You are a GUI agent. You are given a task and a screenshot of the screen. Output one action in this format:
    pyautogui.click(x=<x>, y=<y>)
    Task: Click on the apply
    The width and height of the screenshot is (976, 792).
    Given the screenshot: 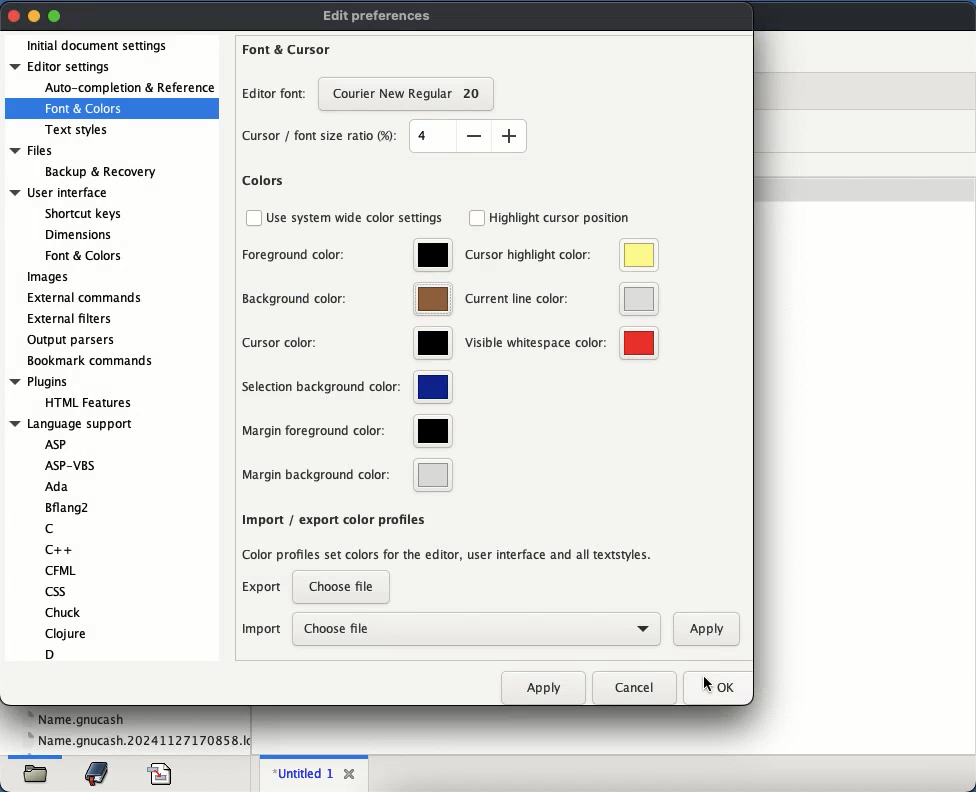 What is the action you would take?
    pyautogui.click(x=546, y=686)
    